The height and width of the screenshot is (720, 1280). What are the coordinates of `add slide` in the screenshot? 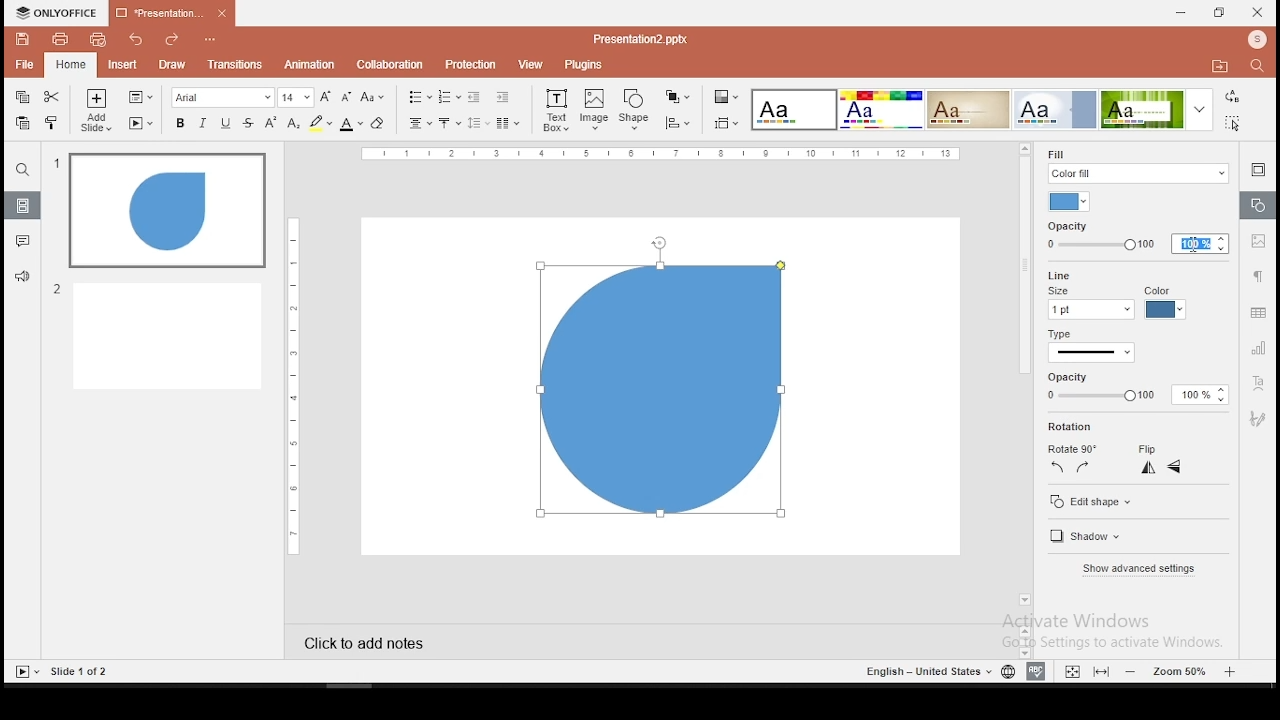 It's located at (96, 112).